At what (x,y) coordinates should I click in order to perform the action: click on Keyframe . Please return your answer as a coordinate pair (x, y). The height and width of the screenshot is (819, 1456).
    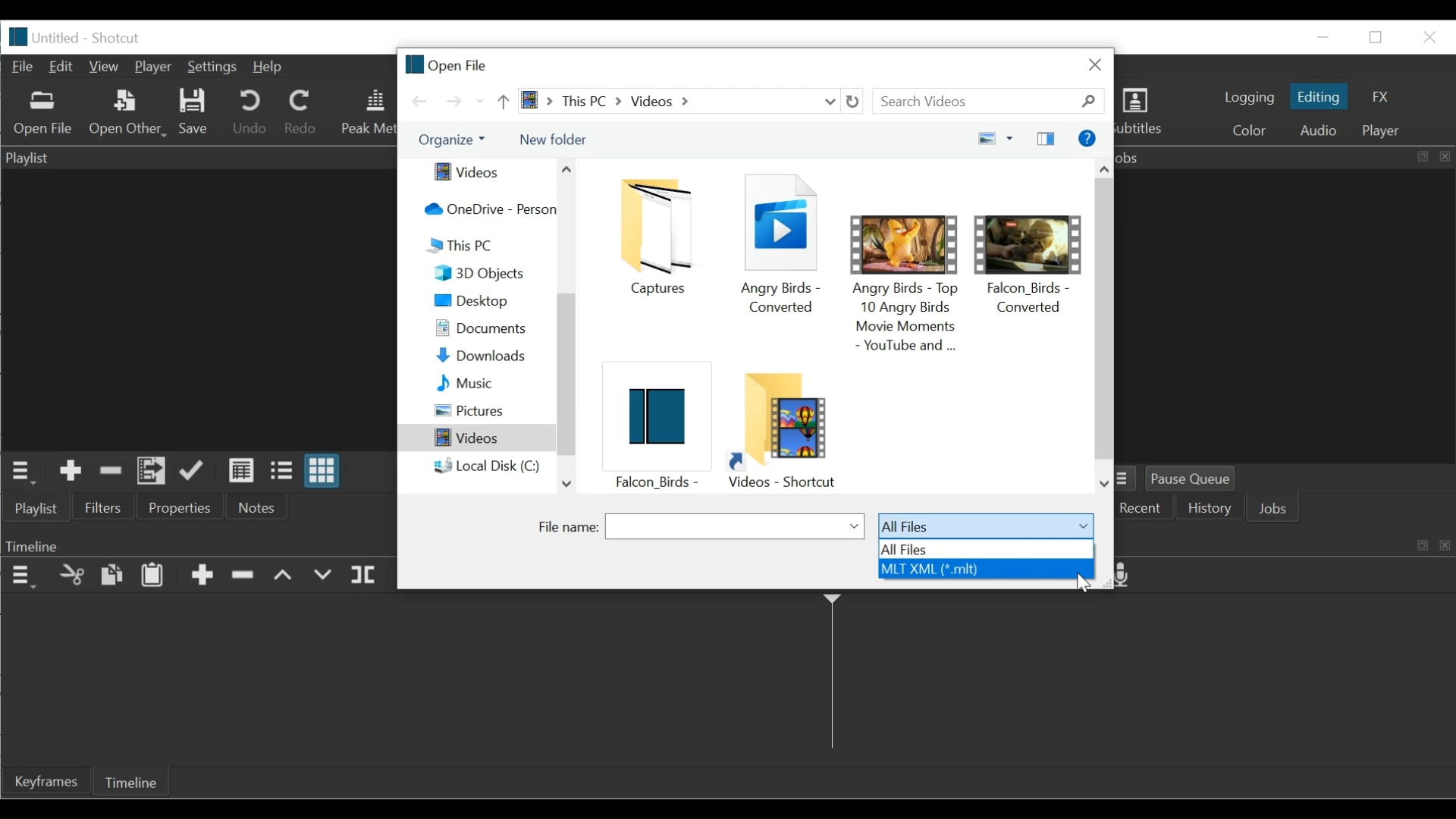
    Looking at the image, I should click on (45, 780).